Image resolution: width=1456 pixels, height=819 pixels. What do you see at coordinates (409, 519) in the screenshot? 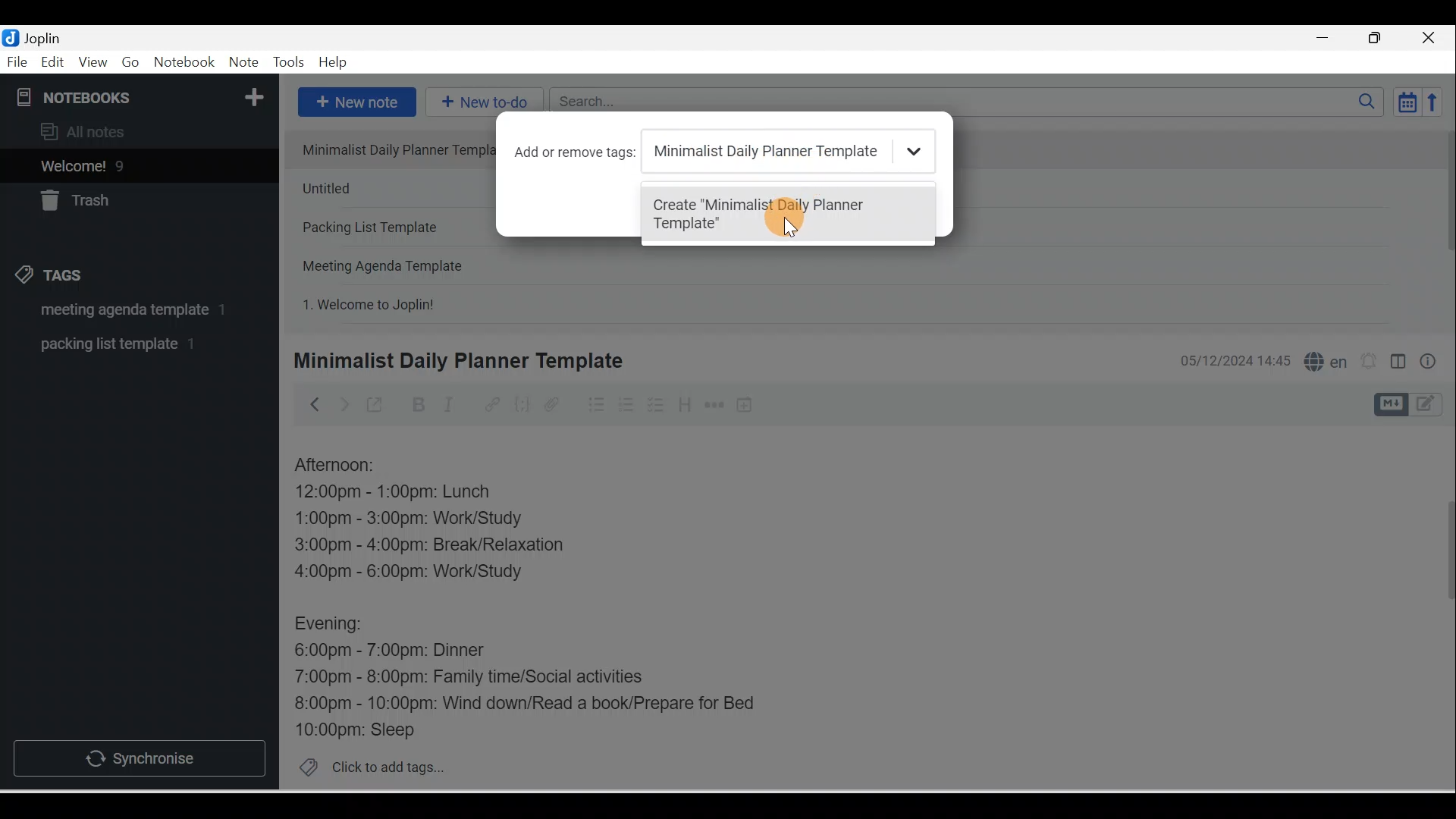
I see `1:00pm - 3:00pm: Work/Study` at bounding box center [409, 519].